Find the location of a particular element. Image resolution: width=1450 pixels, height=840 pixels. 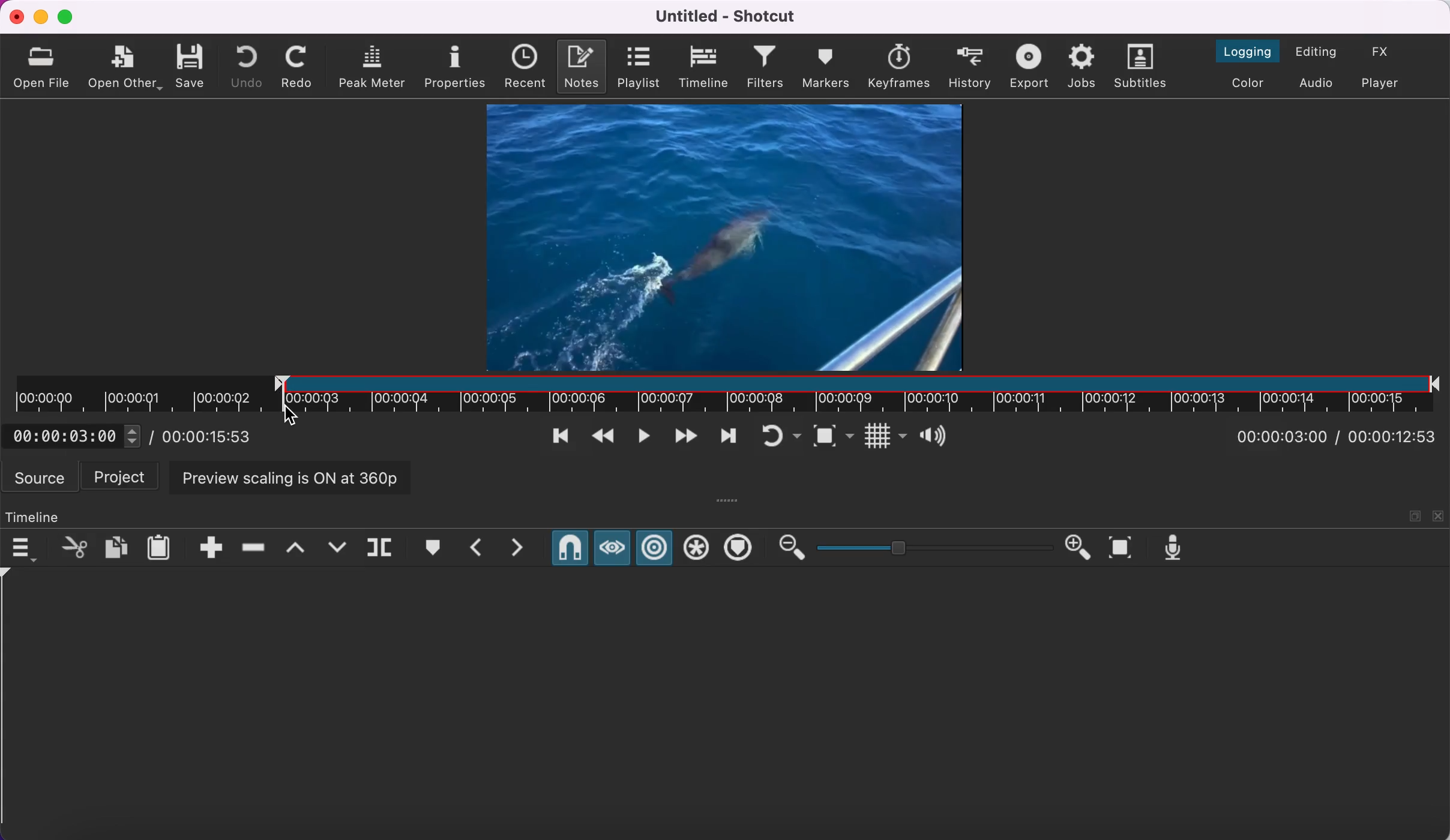

 is located at coordinates (831, 436).